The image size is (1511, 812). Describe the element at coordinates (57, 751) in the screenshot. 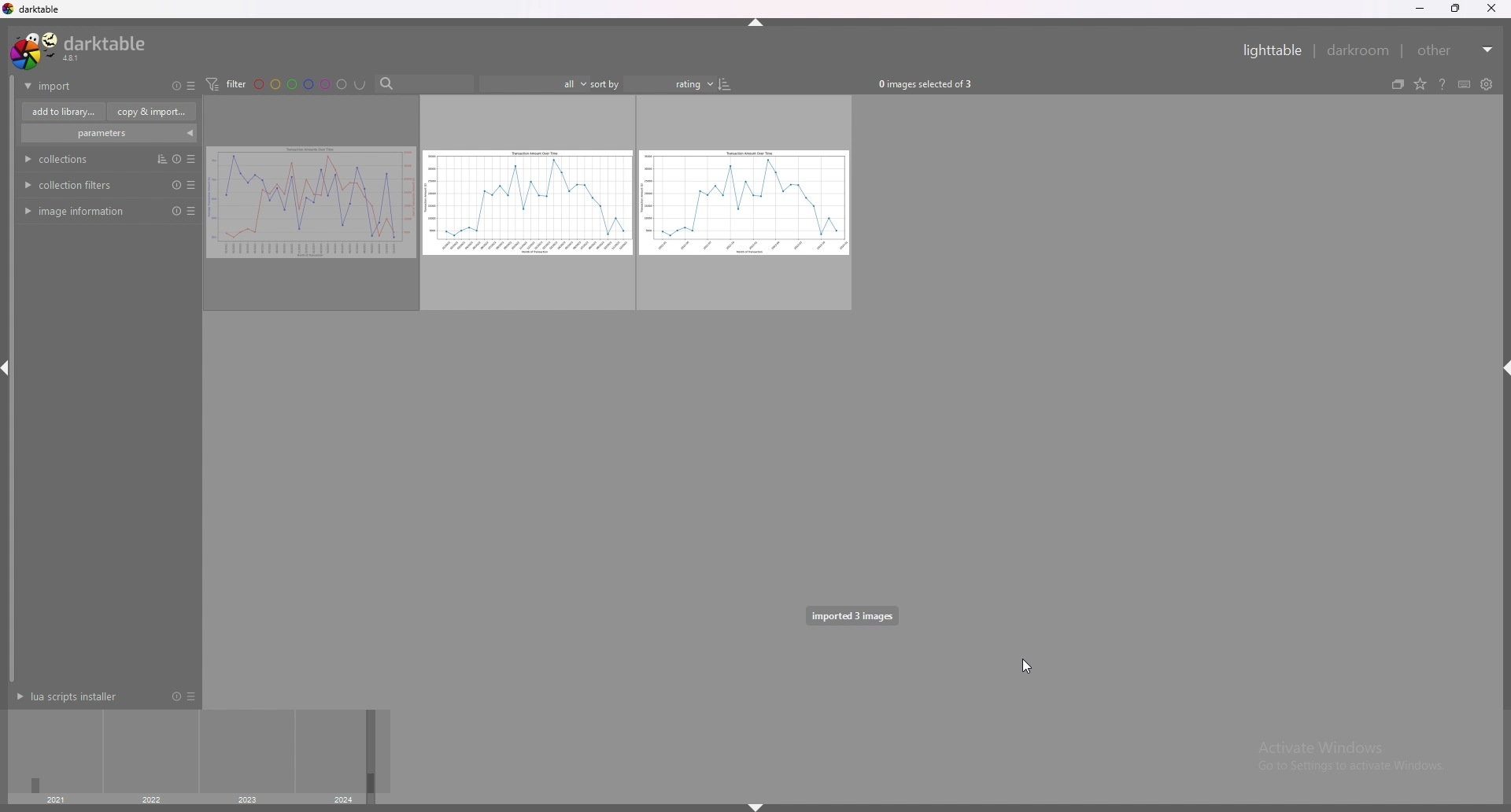

I see `time selector` at that location.